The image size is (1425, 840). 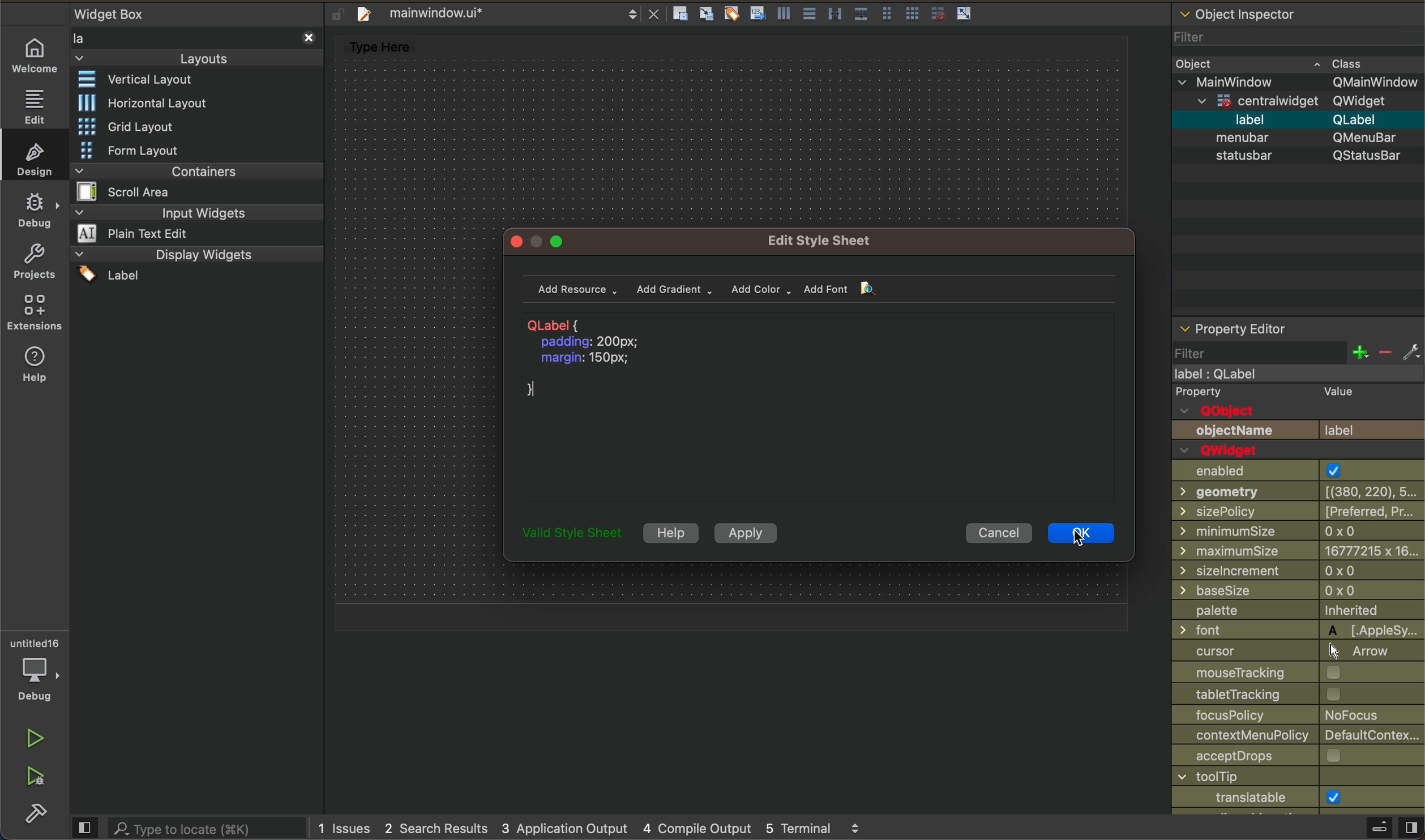 I want to click on input widgets, so click(x=195, y=222).